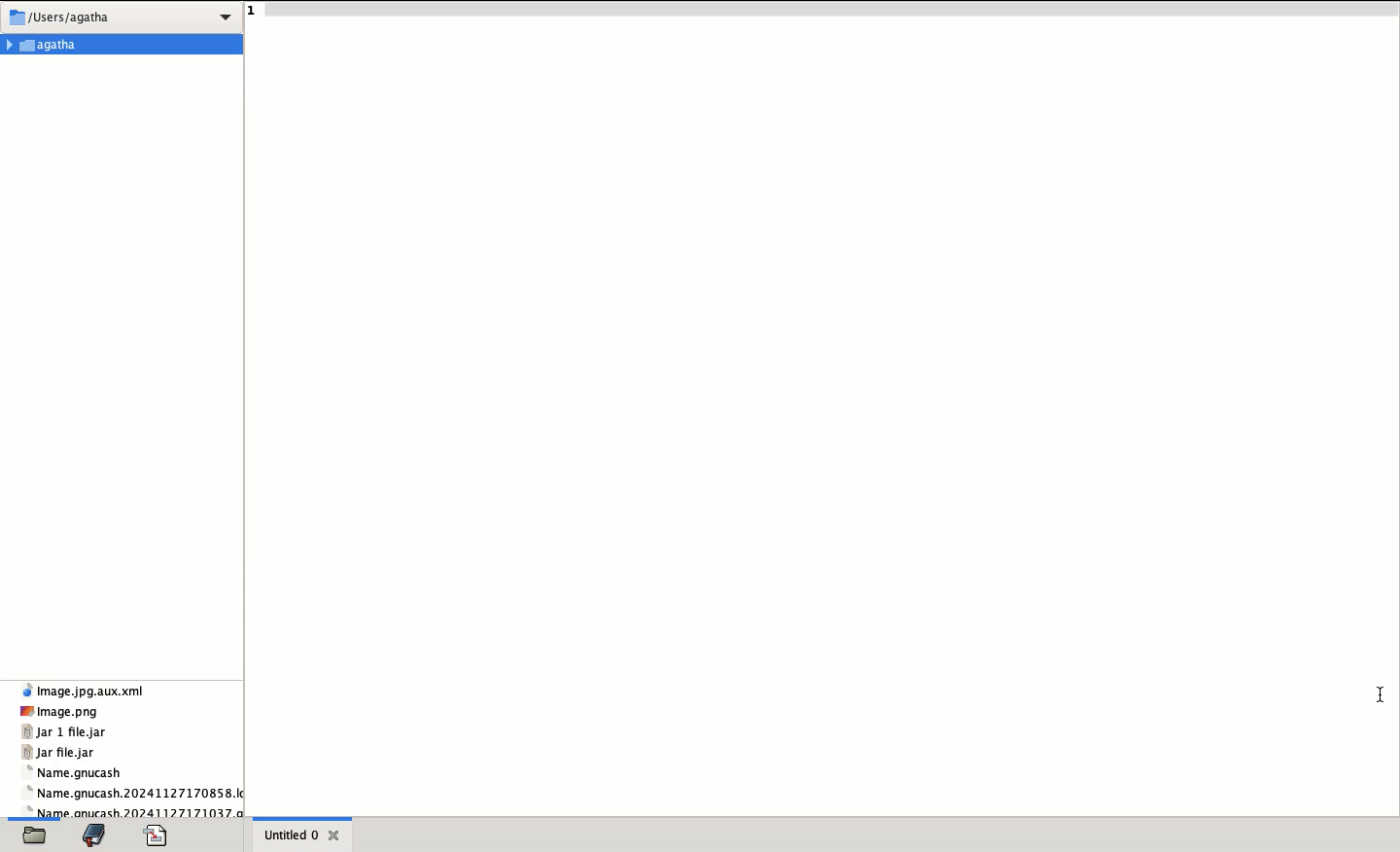 The image size is (1400, 852). I want to click on Agatha, so click(122, 44).